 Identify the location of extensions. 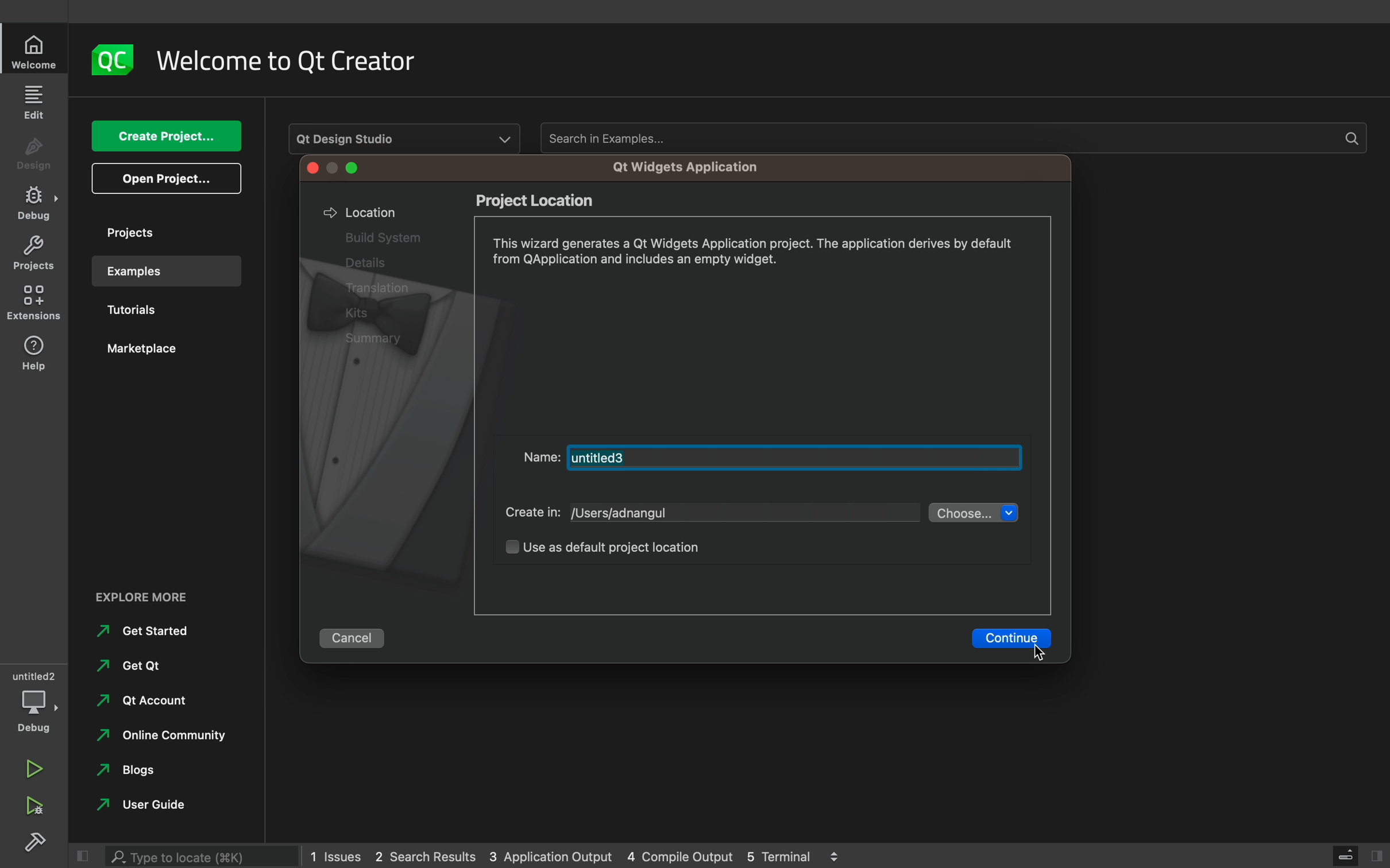
(36, 303).